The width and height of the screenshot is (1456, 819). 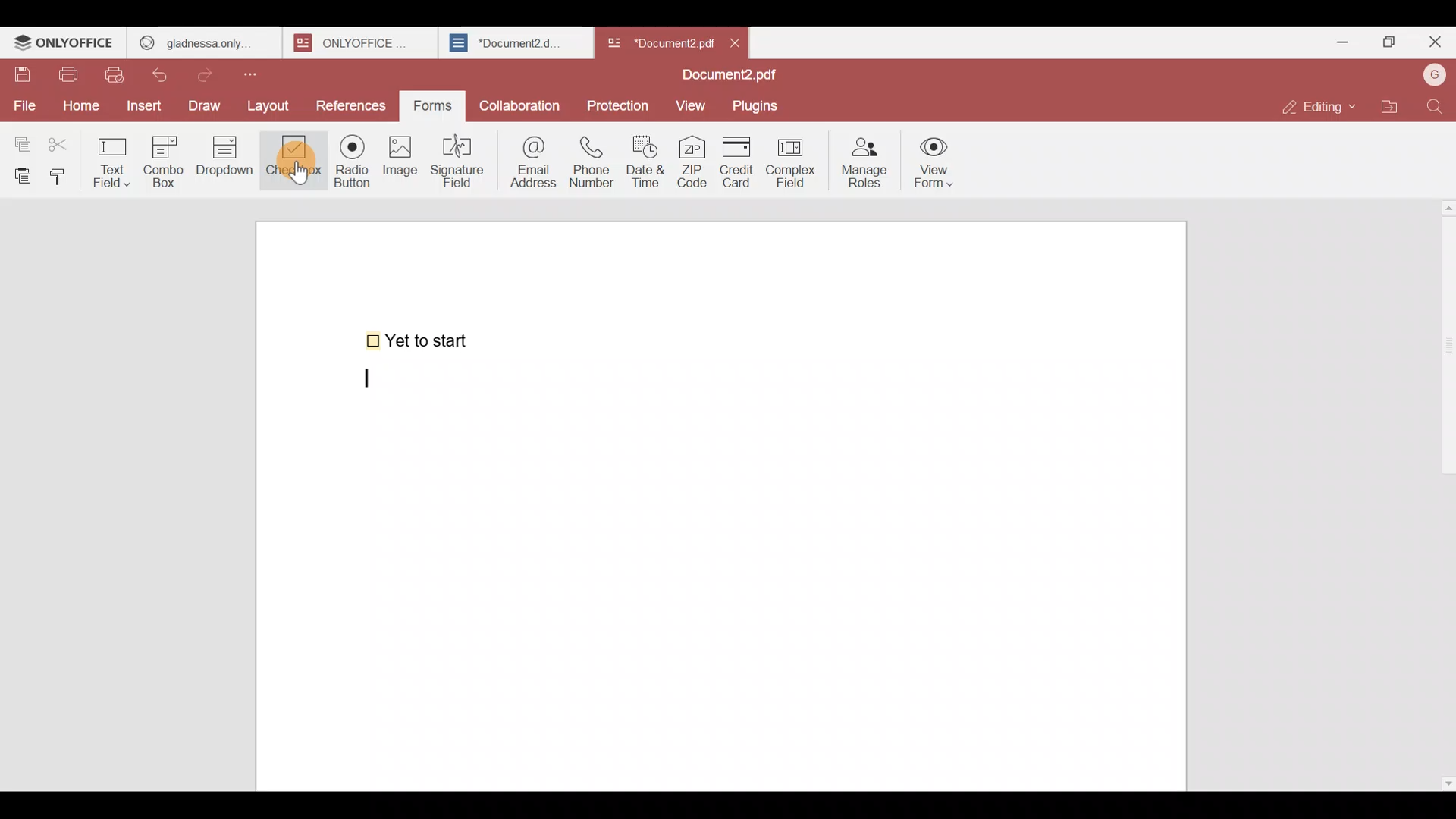 What do you see at coordinates (761, 106) in the screenshot?
I see `Plugins` at bounding box center [761, 106].